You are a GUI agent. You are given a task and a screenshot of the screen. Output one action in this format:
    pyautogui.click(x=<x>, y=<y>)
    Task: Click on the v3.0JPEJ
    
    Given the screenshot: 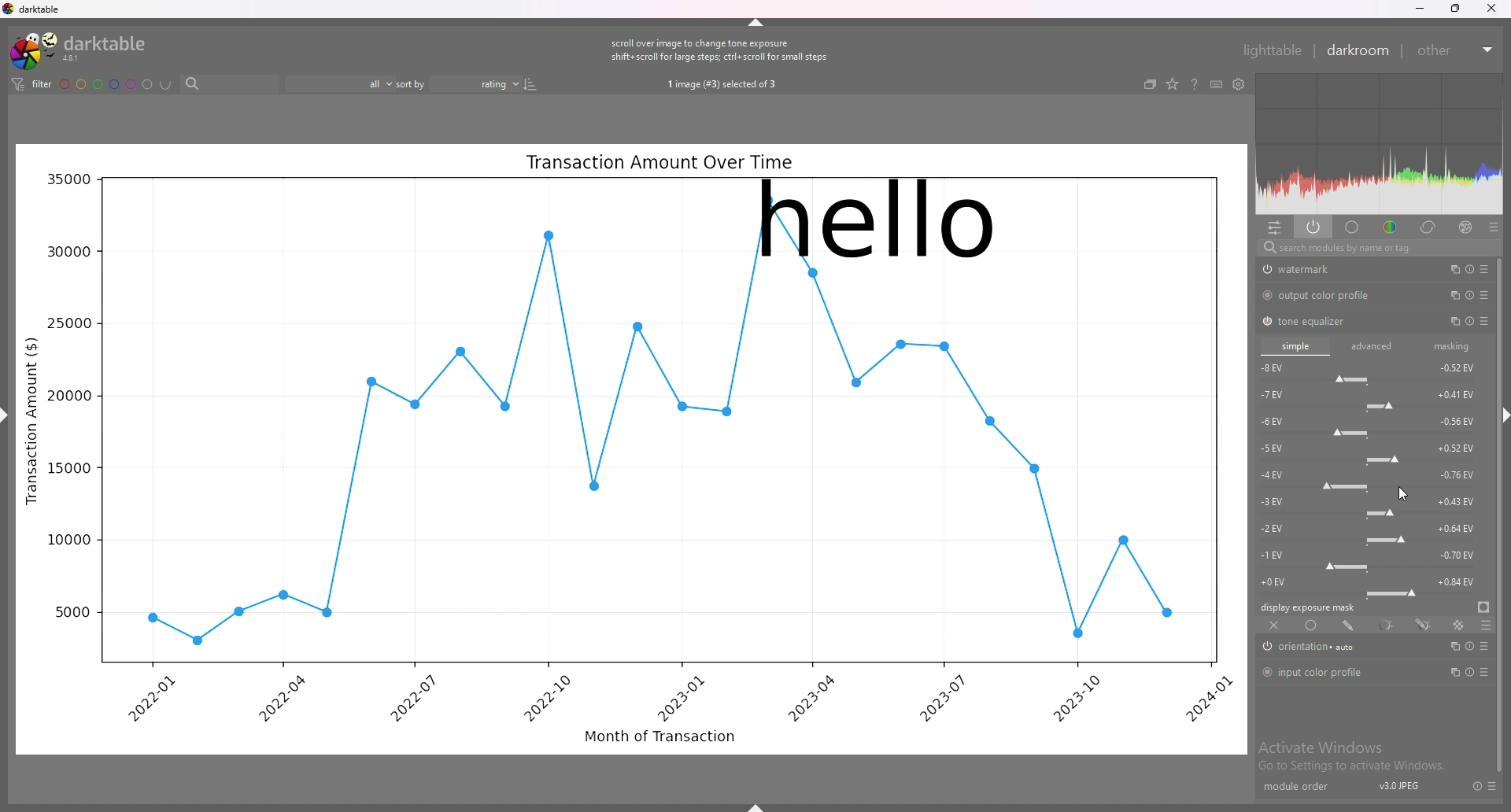 What is the action you would take?
    pyautogui.click(x=1396, y=786)
    